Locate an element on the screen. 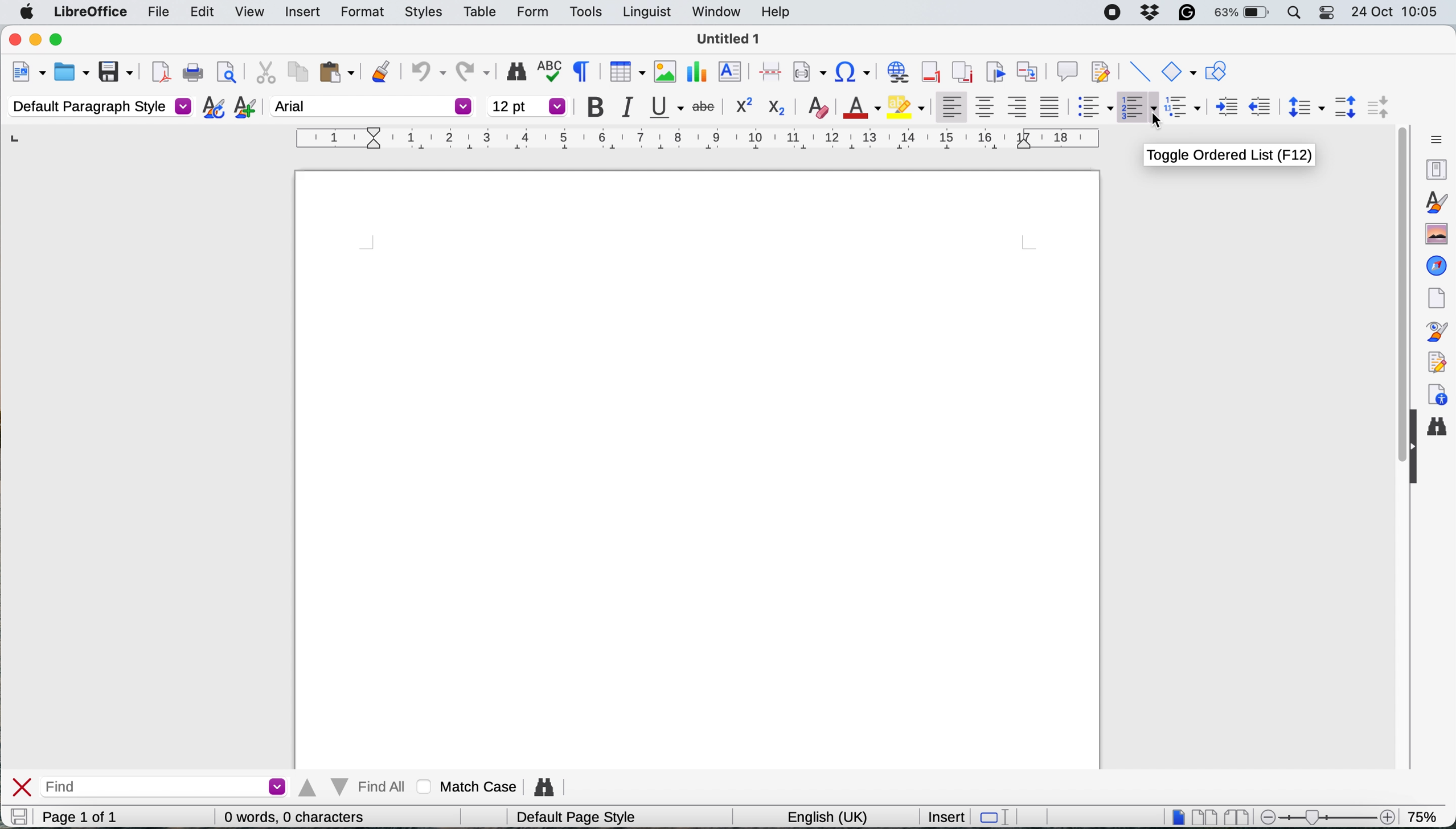  print preview is located at coordinates (226, 72).